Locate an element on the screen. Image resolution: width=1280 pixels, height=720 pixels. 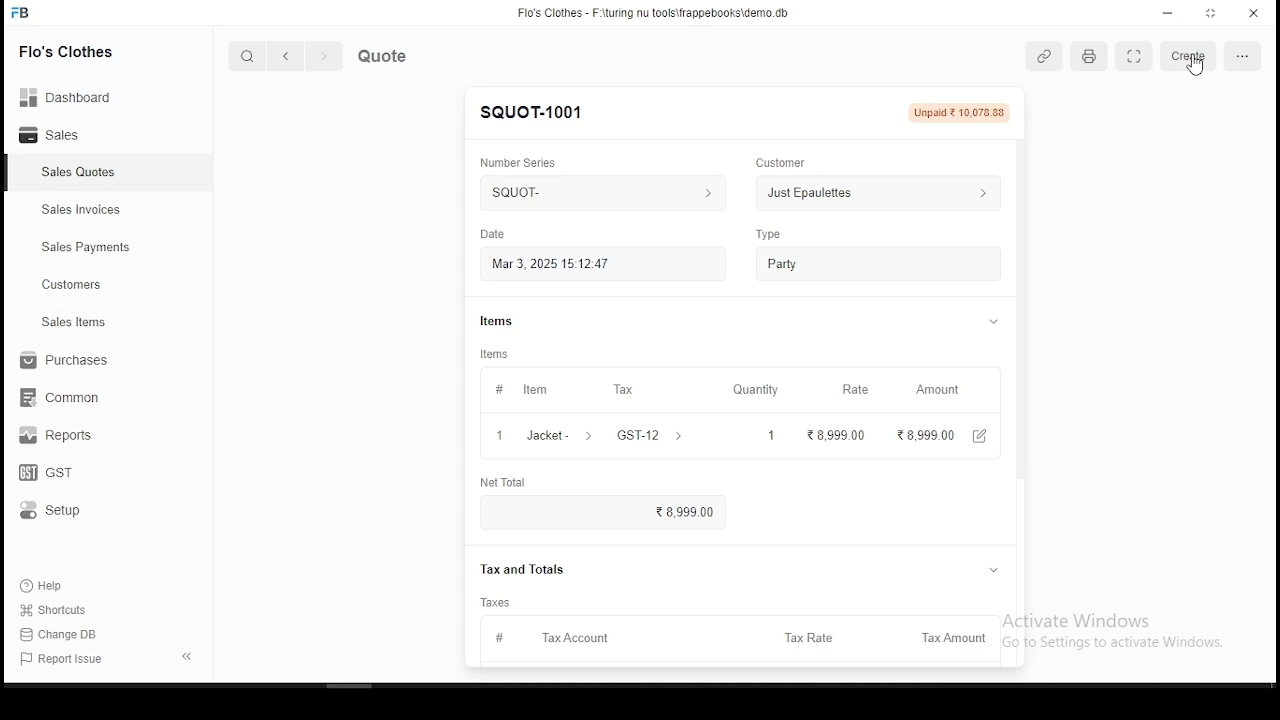
GST is located at coordinates (63, 474).